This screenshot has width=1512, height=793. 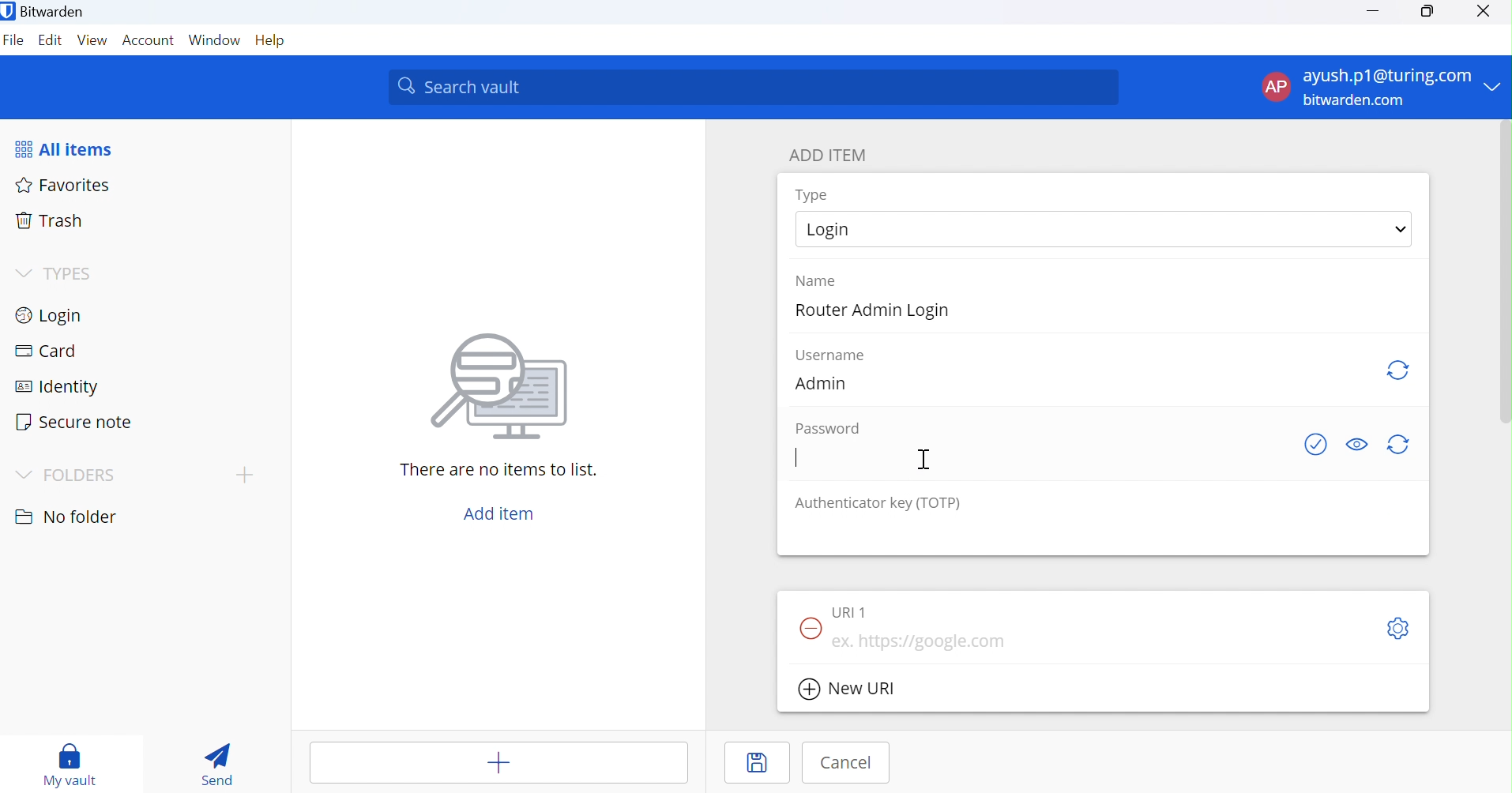 What do you see at coordinates (1427, 12) in the screenshot?
I see `Restore Down` at bounding box center [1427, 12].